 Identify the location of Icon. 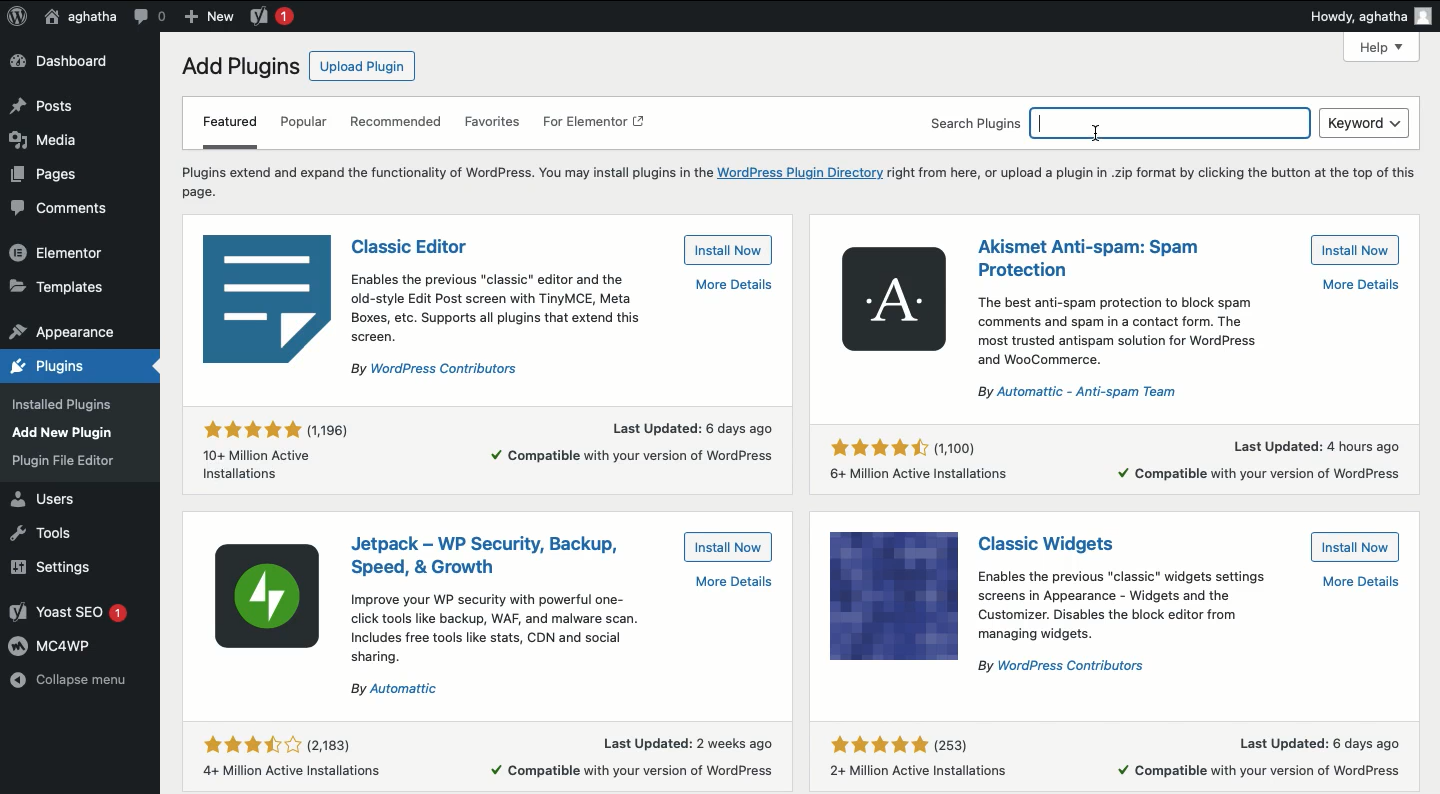
(893, 299).